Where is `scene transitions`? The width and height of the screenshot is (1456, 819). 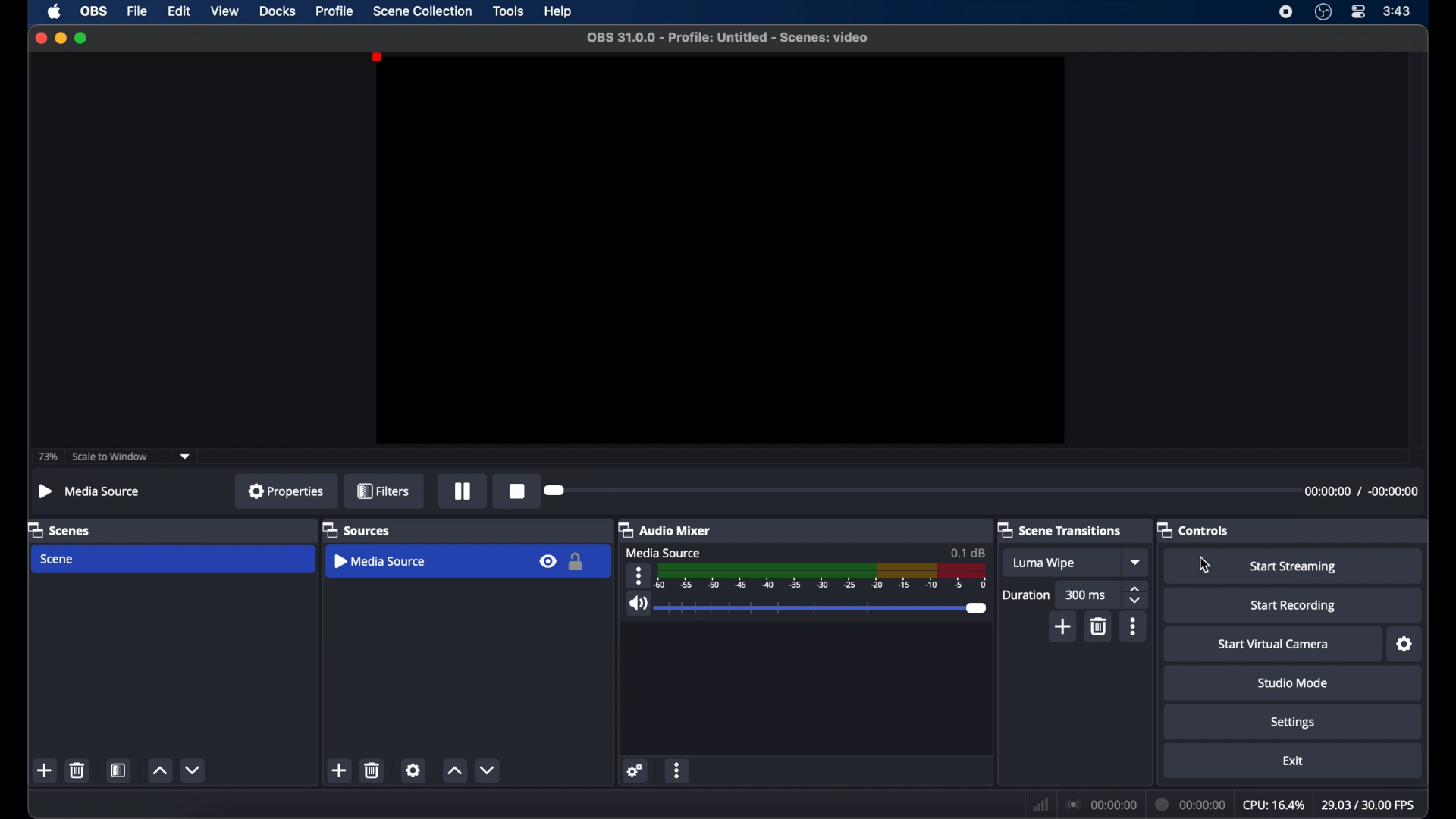 scene transitions is located at coordinates (1059, 529).